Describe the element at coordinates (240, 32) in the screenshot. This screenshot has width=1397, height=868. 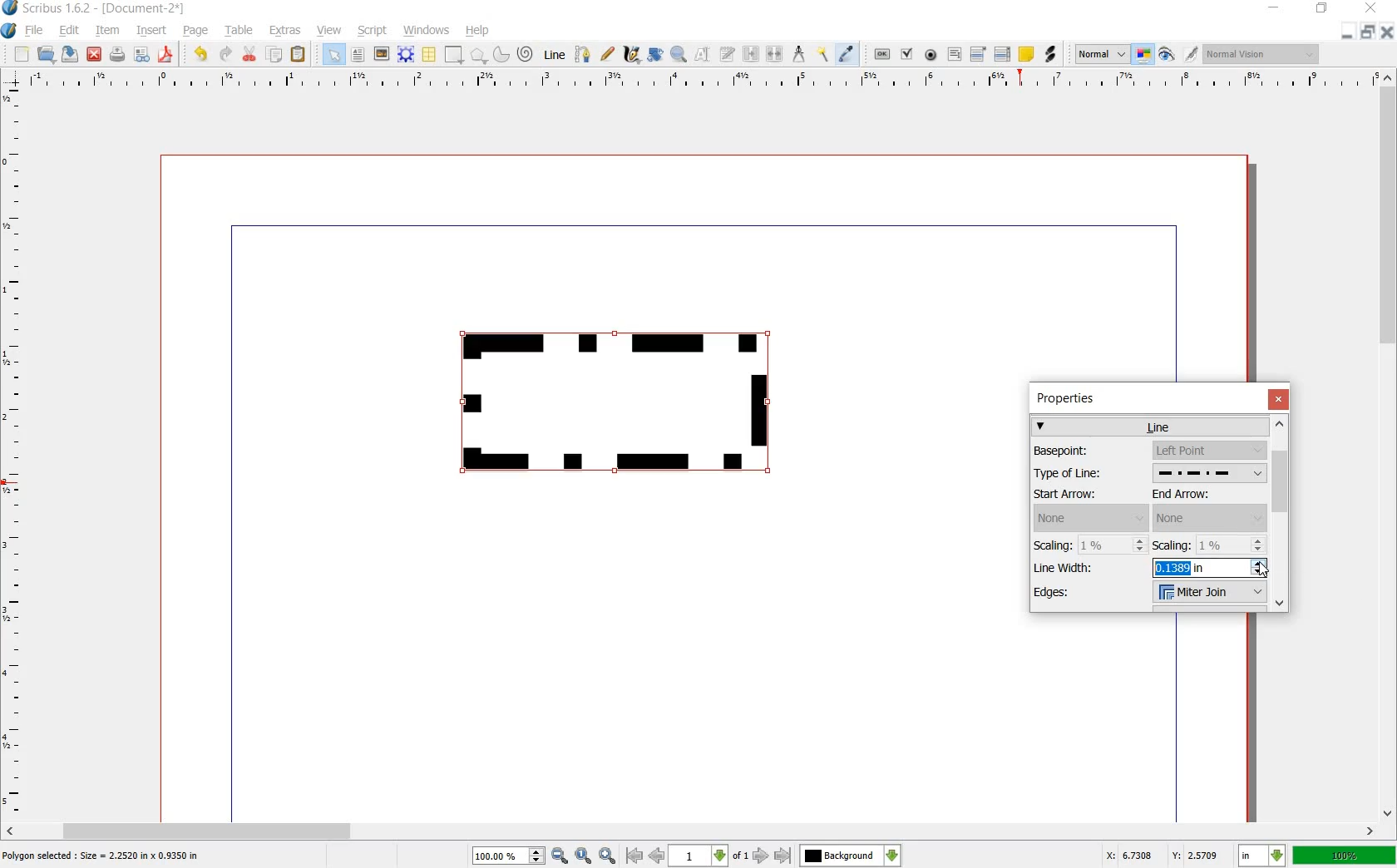
I see `TABLE` at that location.